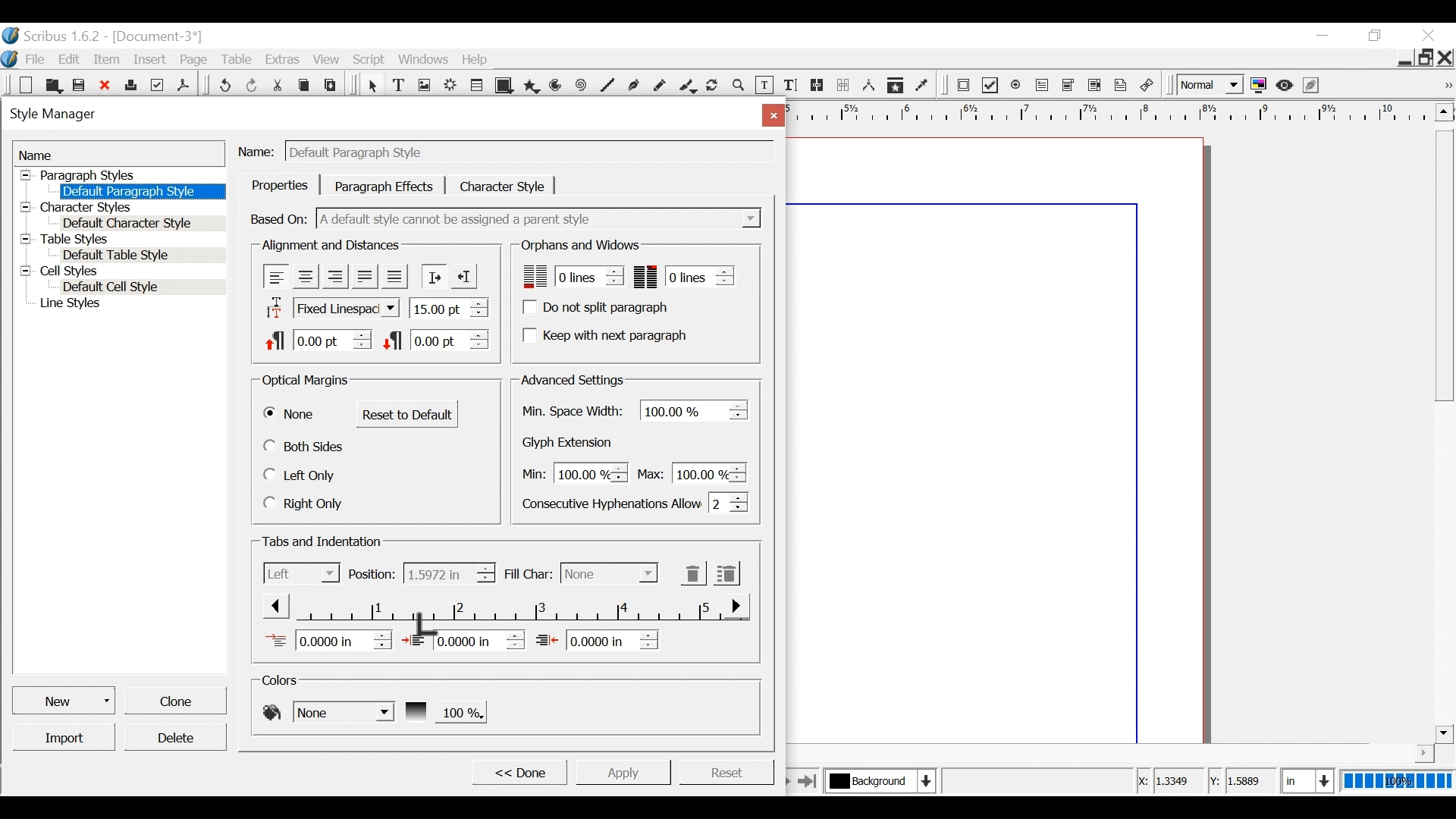  Describe the element at coordinates (318, 338) in the screenshot. I see `Space Above` at that location.